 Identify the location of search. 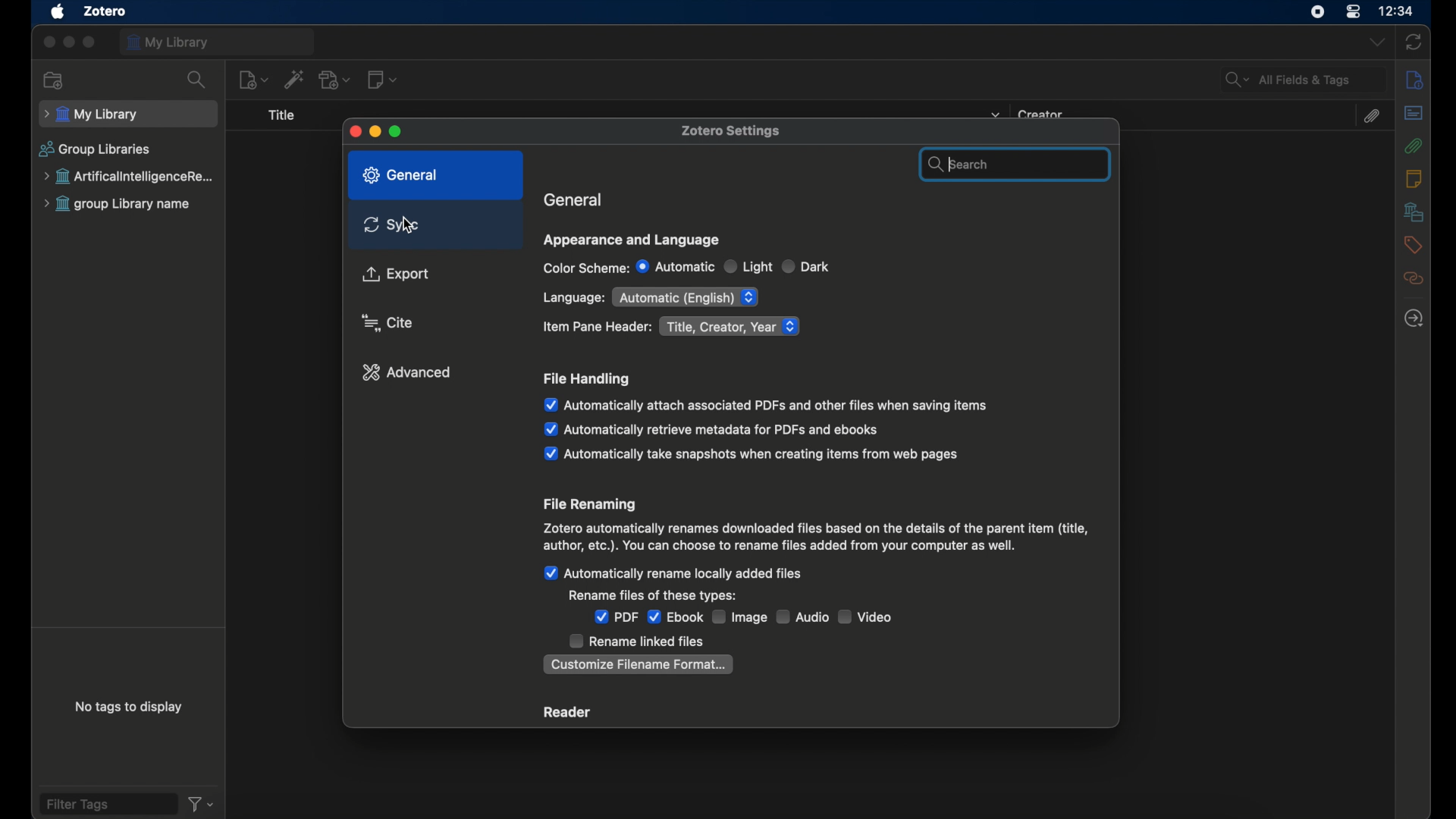
(197, 80).